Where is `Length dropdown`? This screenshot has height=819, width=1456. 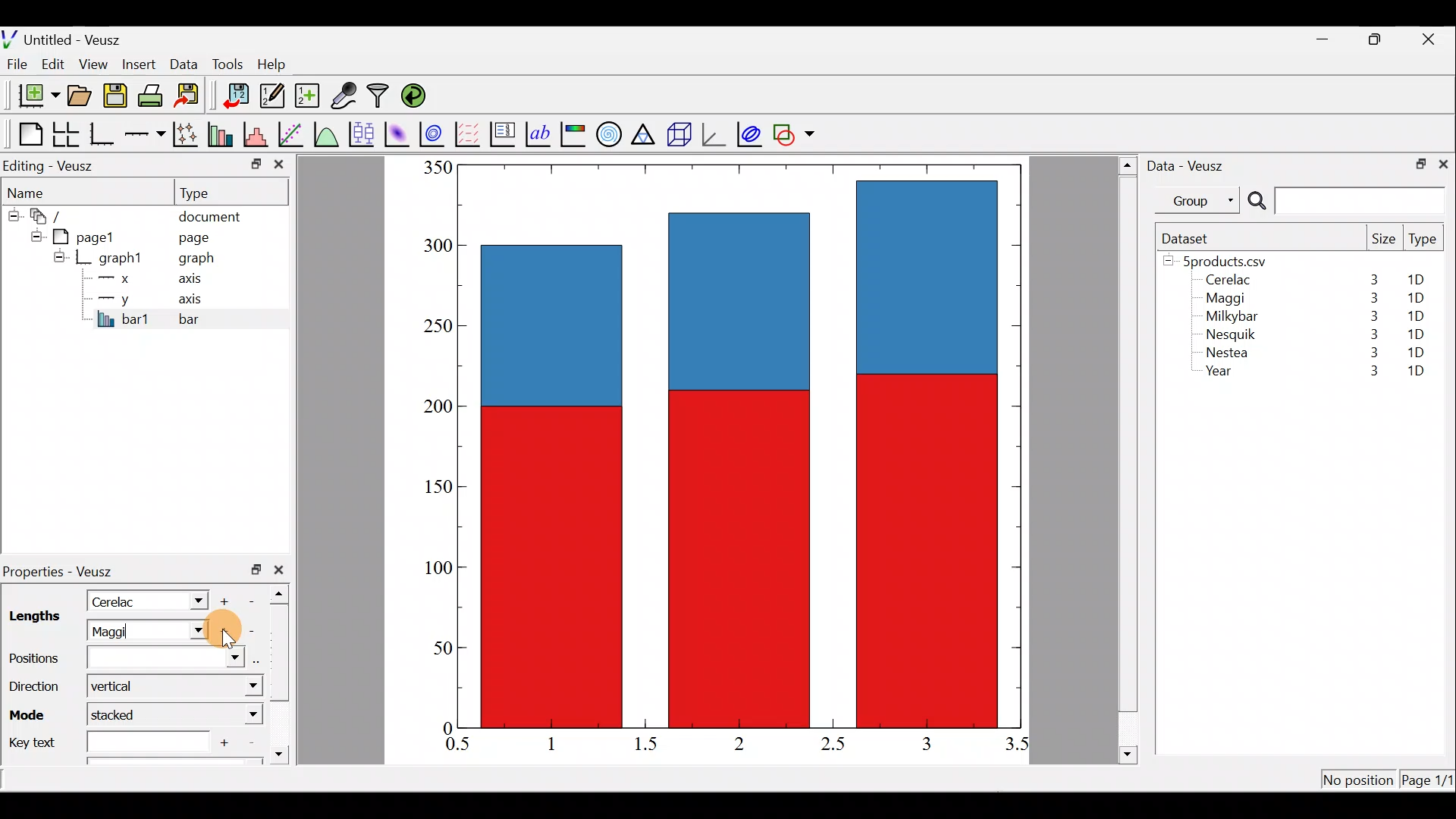
Length dropdown is located at coordinates (191, 600).